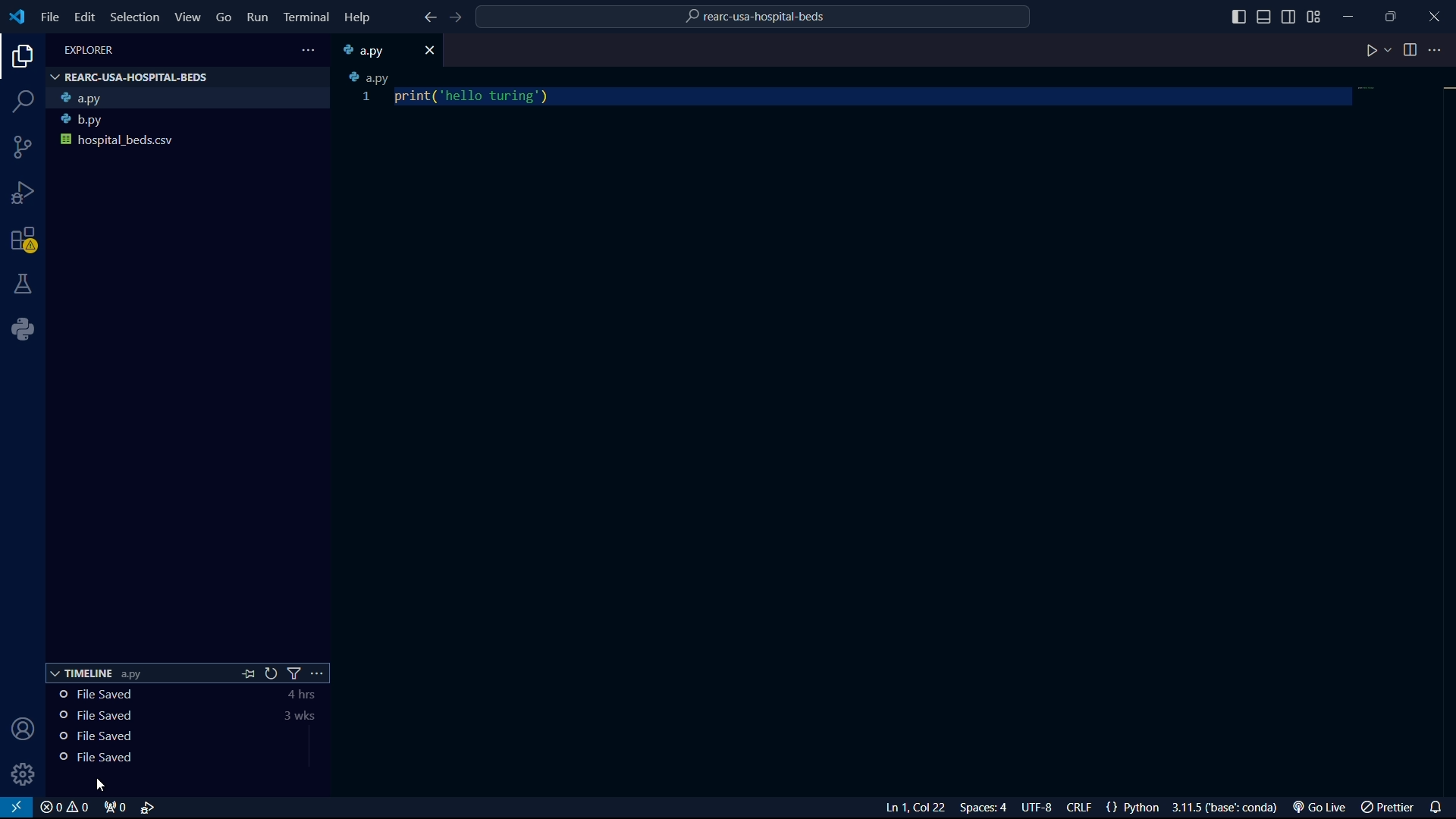 This screenshot has height=819, width=1456. What do you see at coordinates (303, 708) in the screenshot?
I see `time` at bounding box center [303, 708].